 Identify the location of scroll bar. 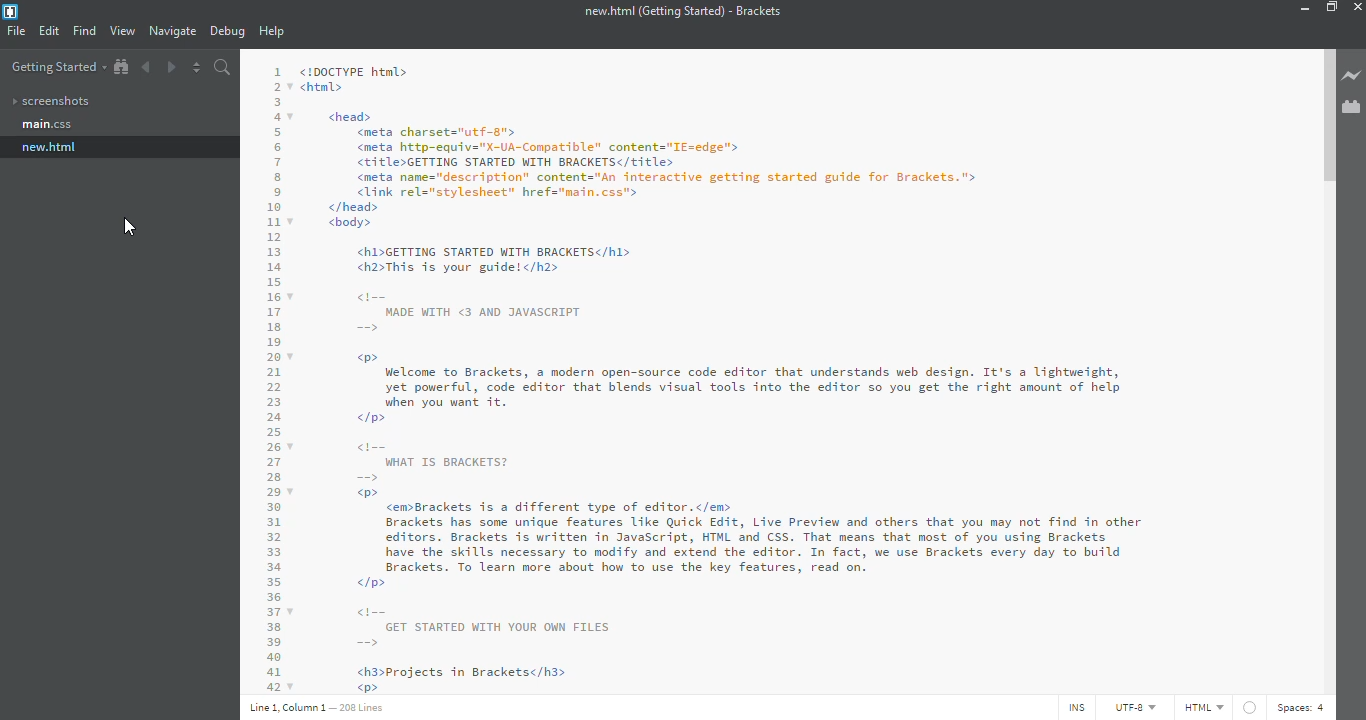
(1326, 119).